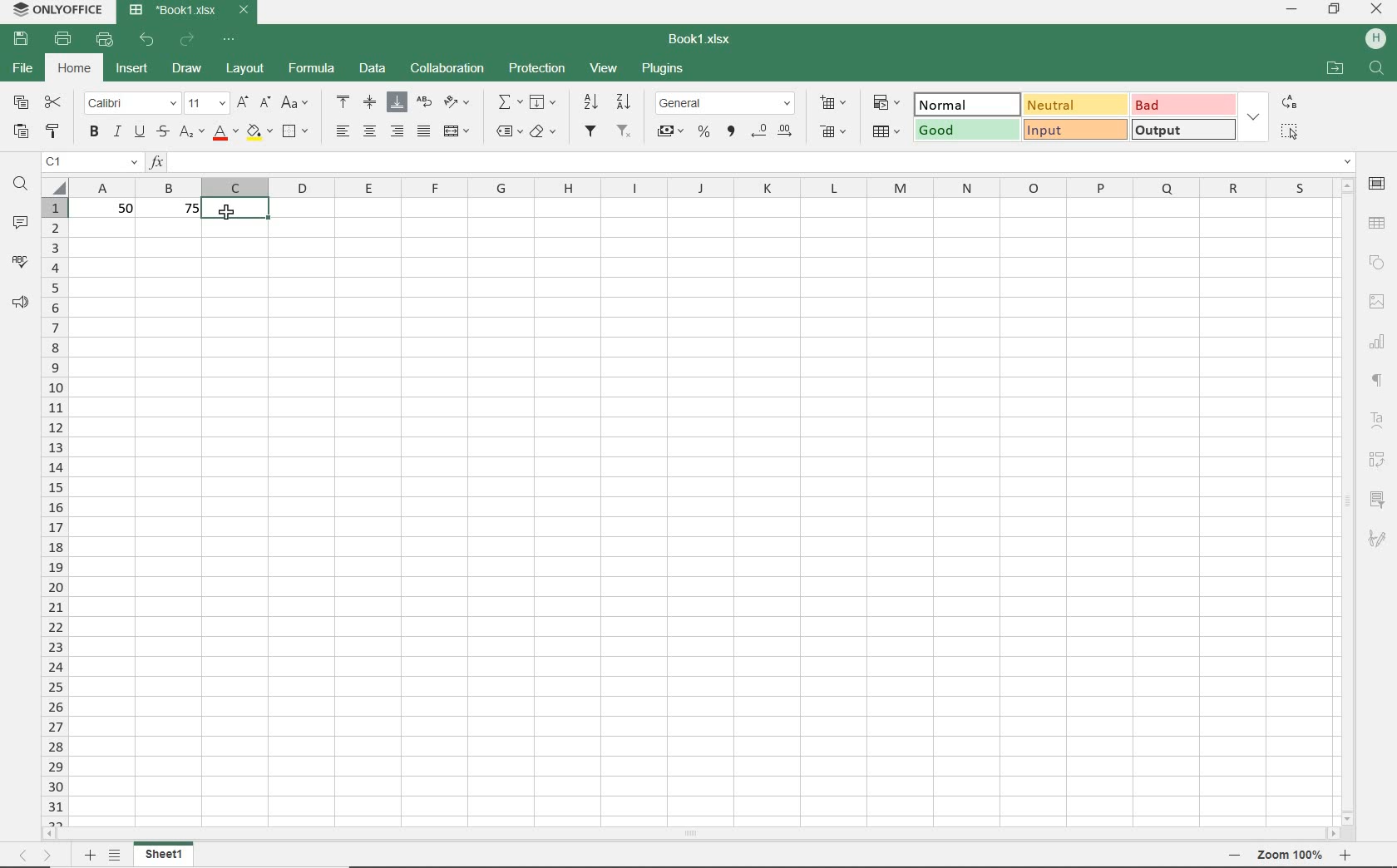 The width and height of the screenshot is (1397, 868). What do you see at coordinates (461, 105) in the screenshot?
I see `orientation` at bounding box center [461, 105].